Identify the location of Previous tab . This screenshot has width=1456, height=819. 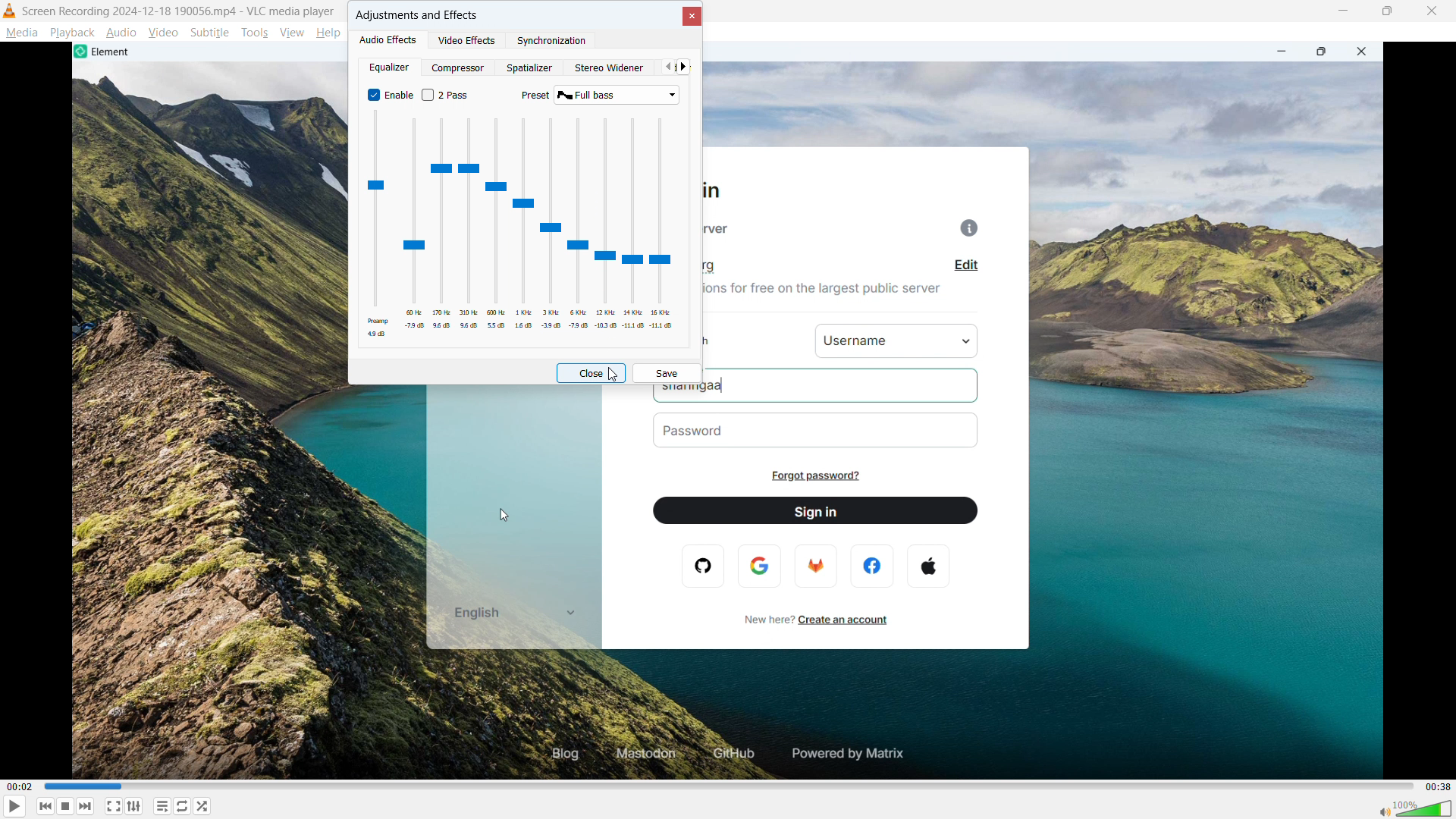
(667, 67).